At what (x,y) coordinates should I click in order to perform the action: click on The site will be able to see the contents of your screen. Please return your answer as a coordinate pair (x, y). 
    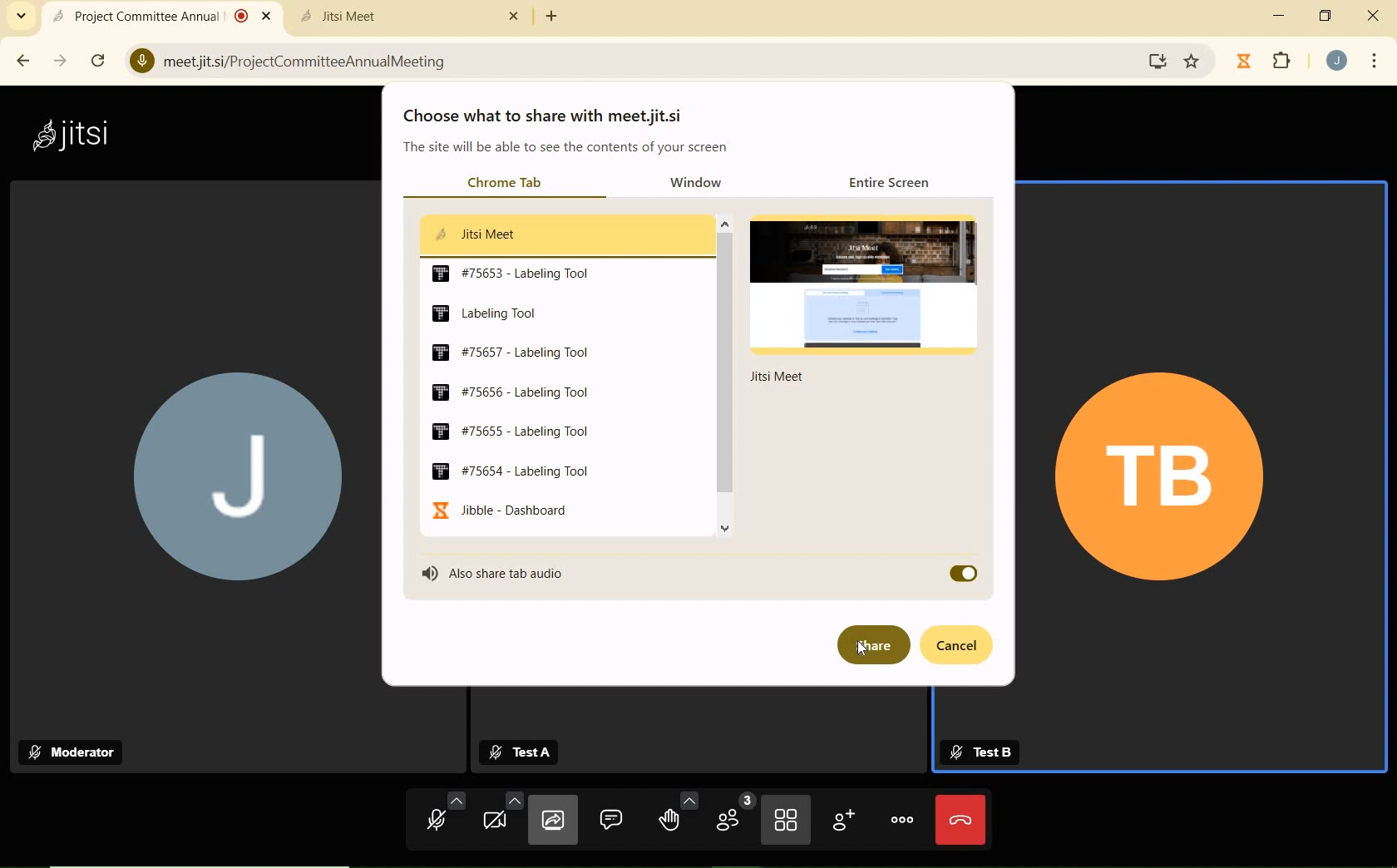
    Looking at the image, I should click on (565, 148).